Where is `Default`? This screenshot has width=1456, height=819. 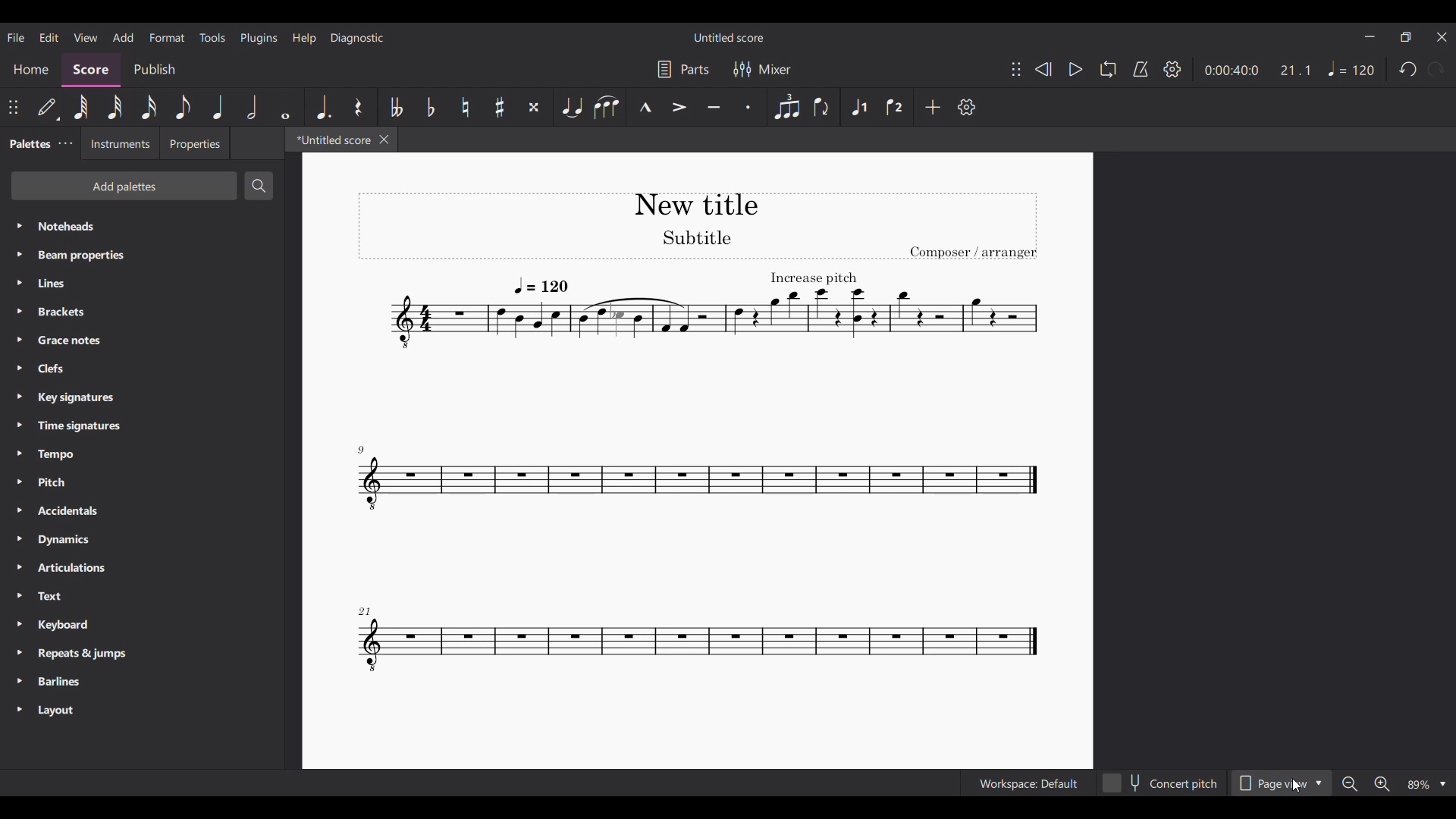
Default is located at coordinates (48, 106).